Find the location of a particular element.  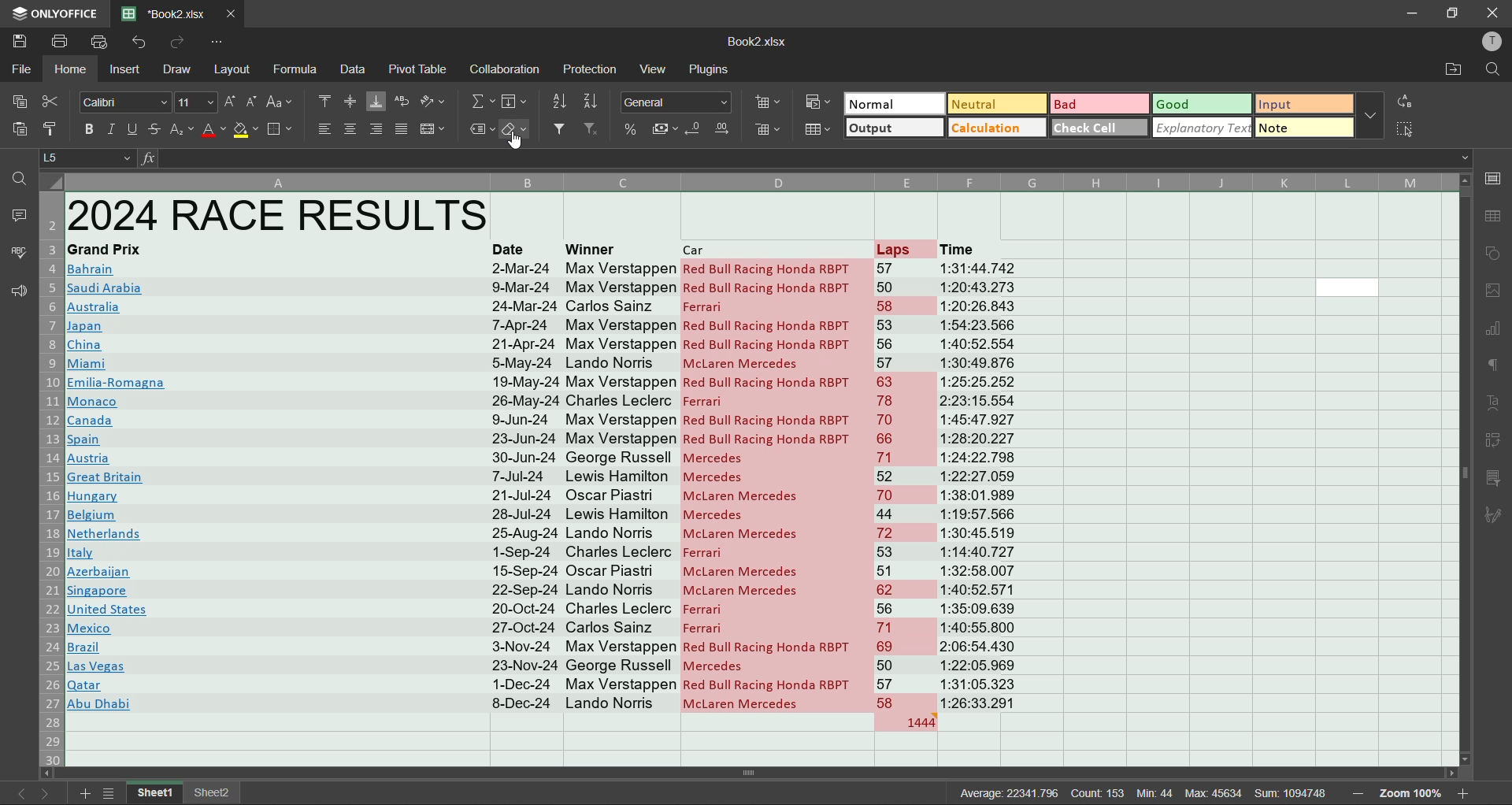

explanatory text is located at coordinates (1203, 128).